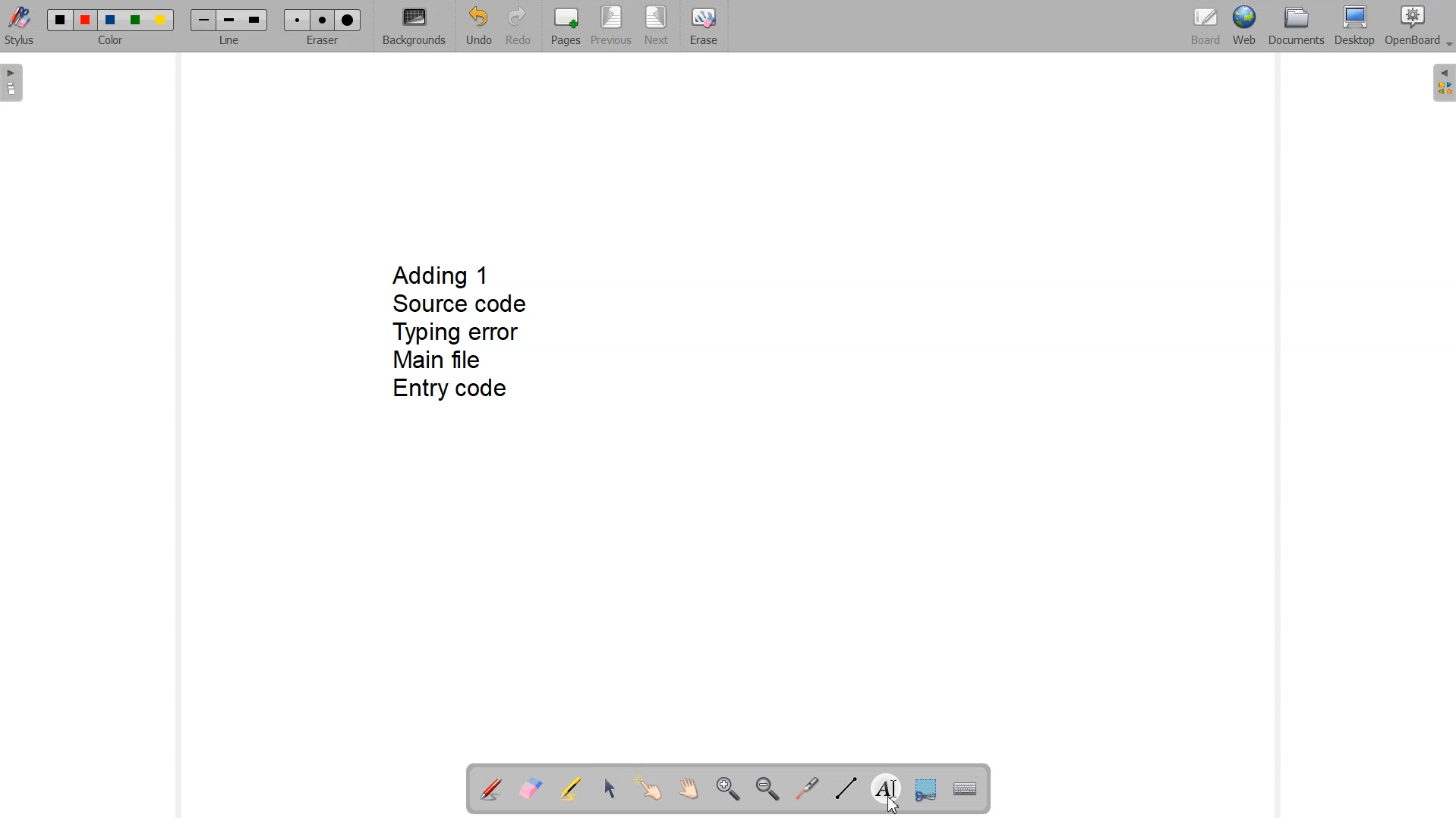  What do you see at coordinates (844, 788) in the screenshot?
I see `Draw lines` at bounding box center [844, 788].